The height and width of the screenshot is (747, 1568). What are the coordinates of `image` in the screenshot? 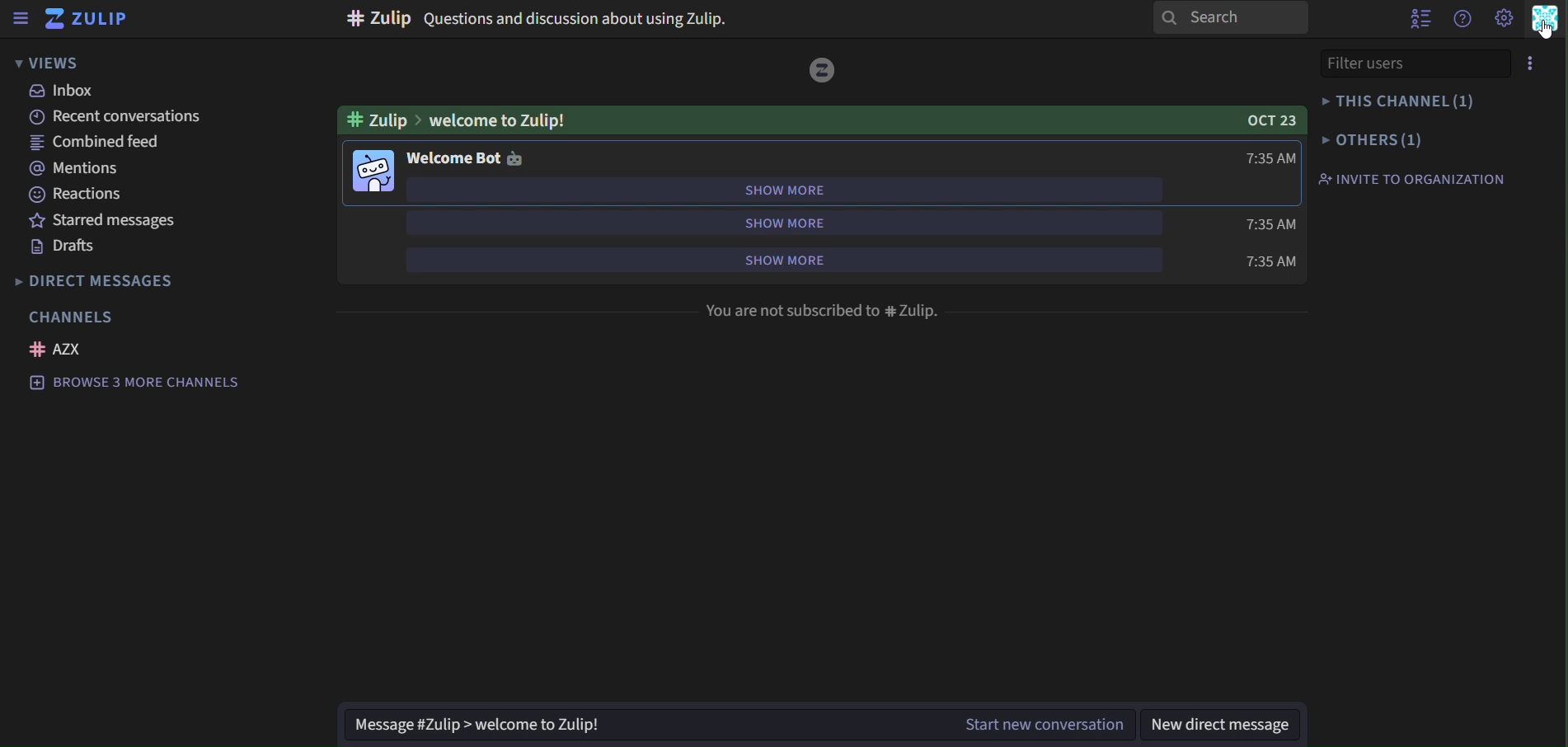 It's located at (824, 68).